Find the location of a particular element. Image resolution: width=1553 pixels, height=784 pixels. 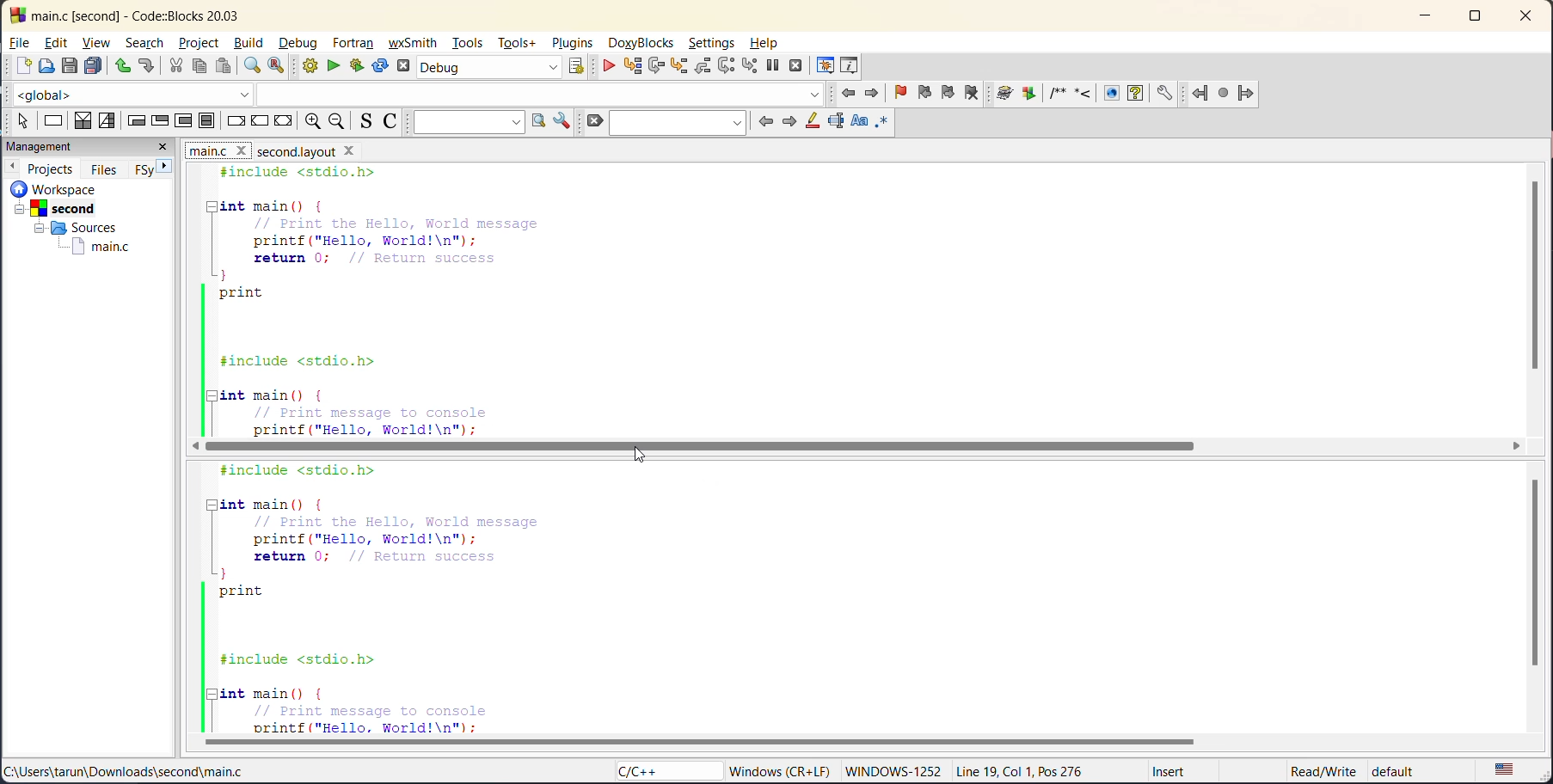

clear bookmark is located at coordinates (977, 95).